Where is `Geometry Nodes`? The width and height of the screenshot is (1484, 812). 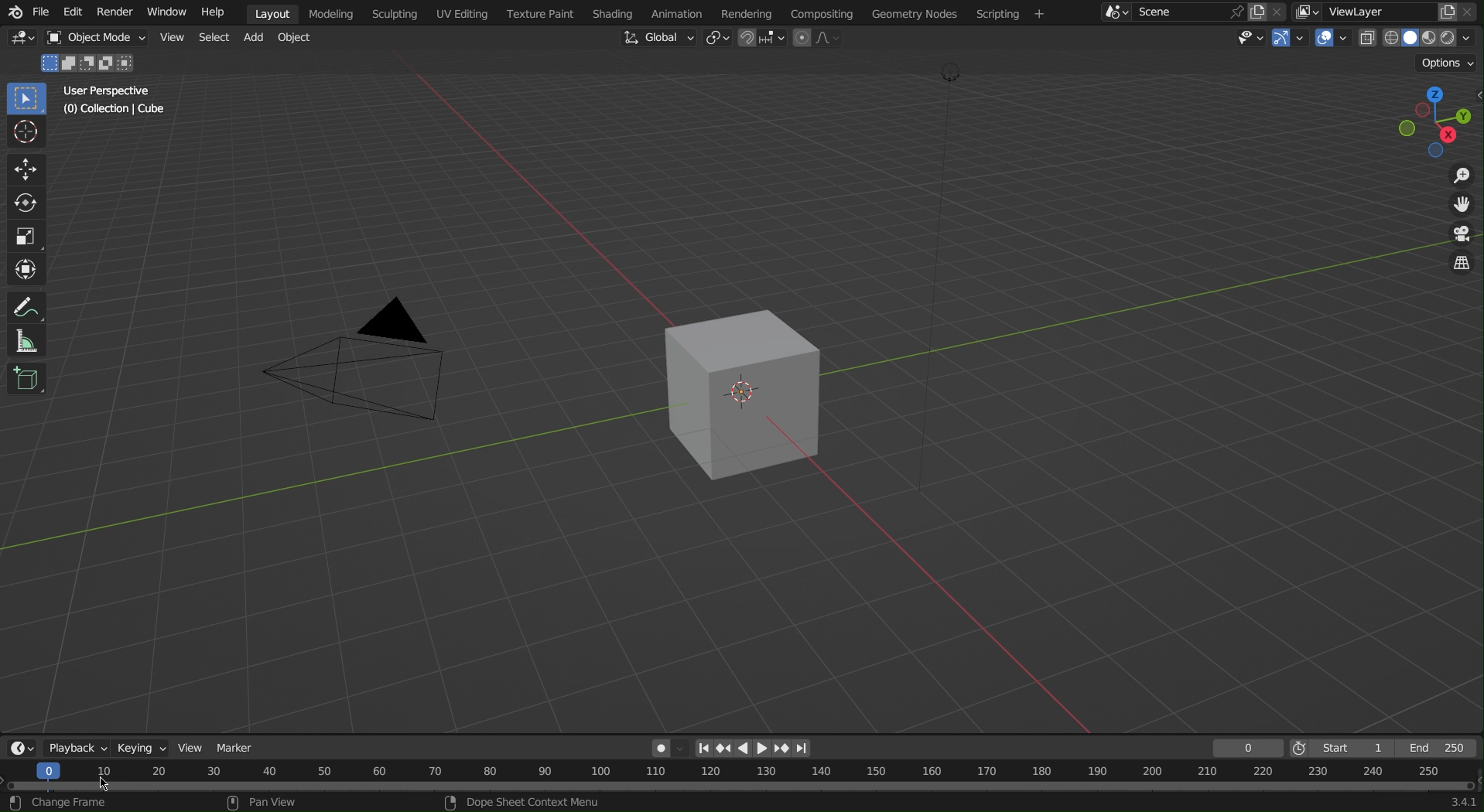
Geometry Nodes is located at coordinates (913, 14).